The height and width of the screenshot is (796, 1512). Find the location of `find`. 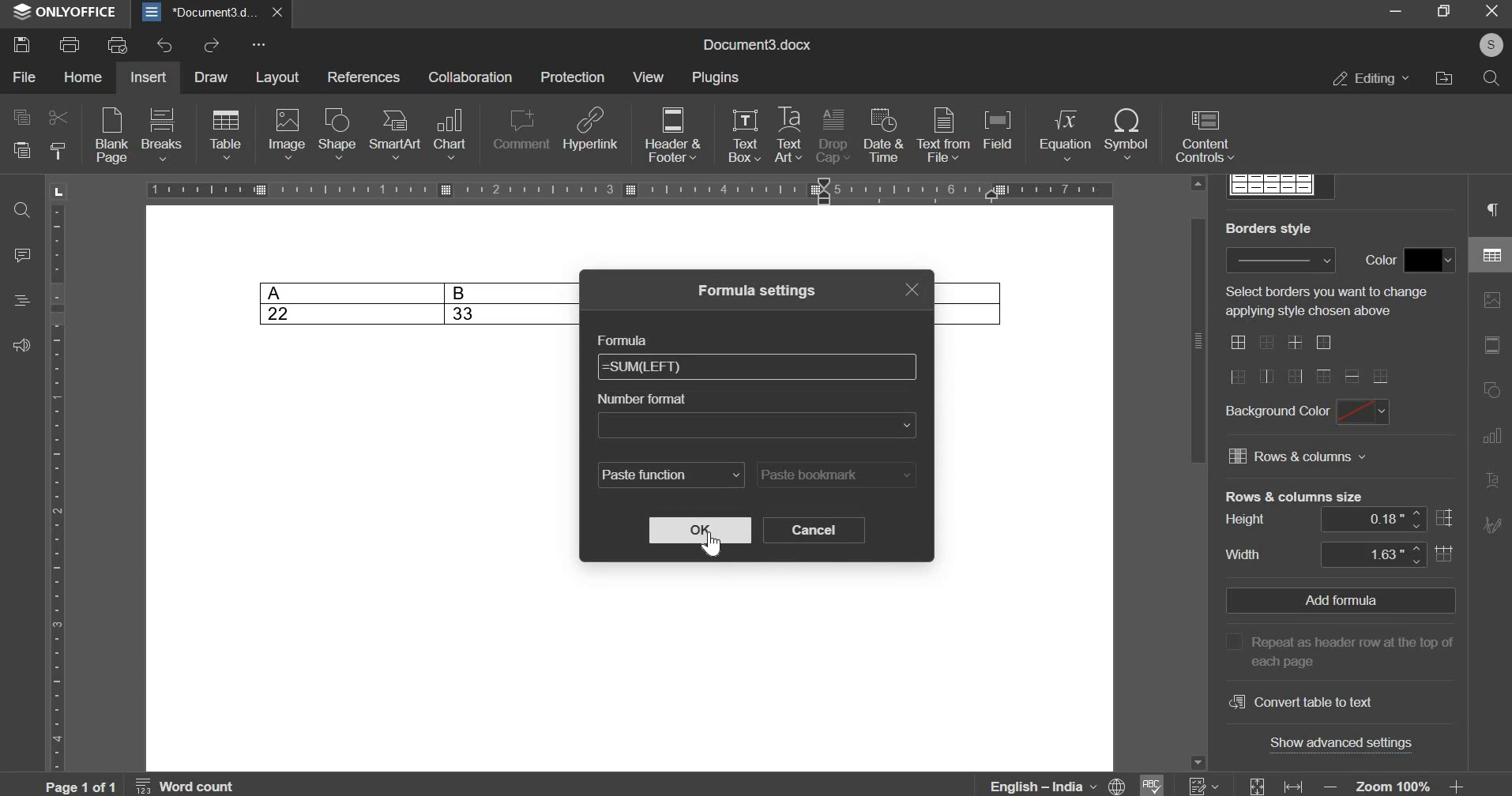

find is located at coordinates (24, 212).